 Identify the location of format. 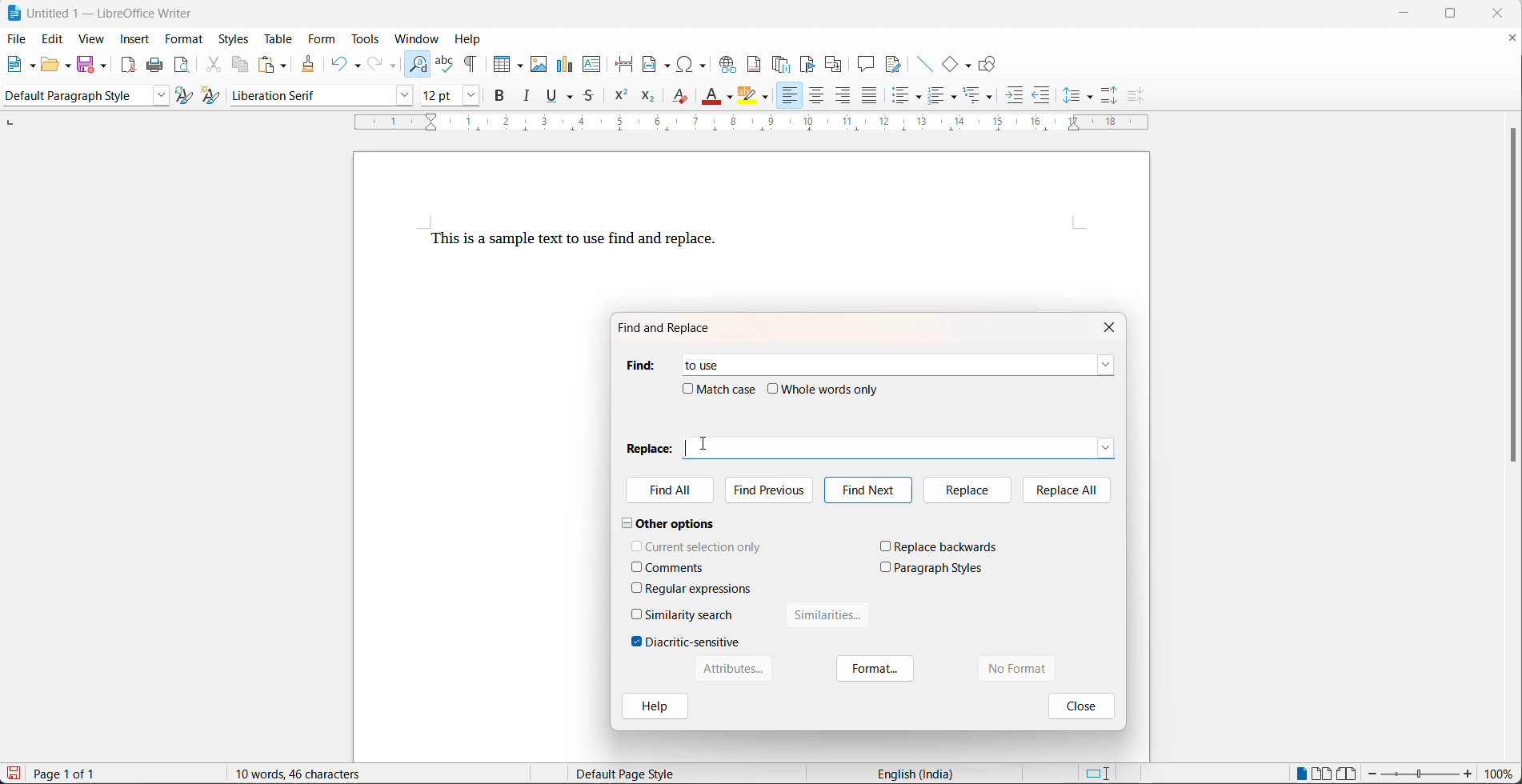
(186, 40).